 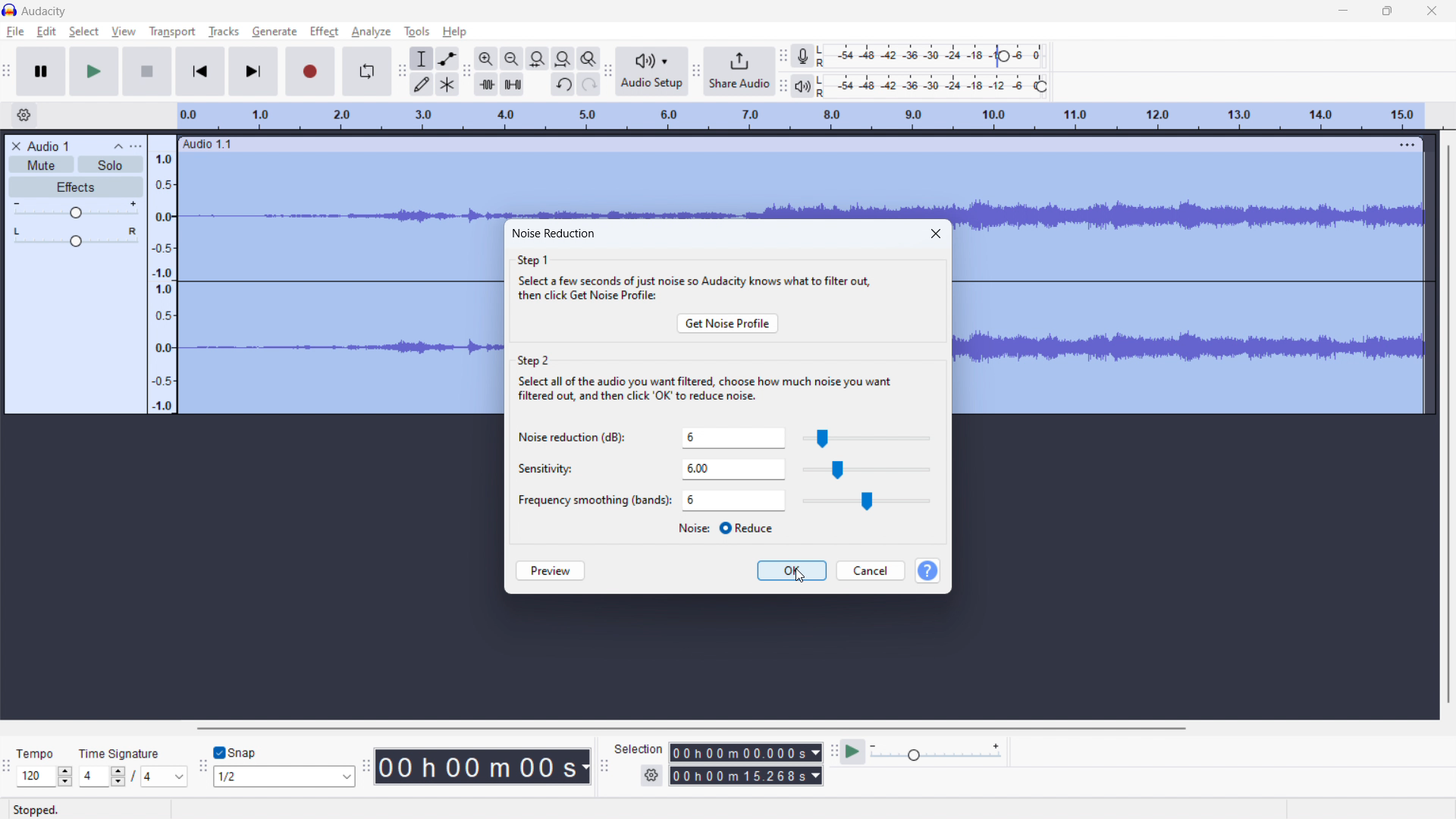 What do you see at coordinates (84, 32) in the screenshot?
I see `select` at bounding box center [84, 32].